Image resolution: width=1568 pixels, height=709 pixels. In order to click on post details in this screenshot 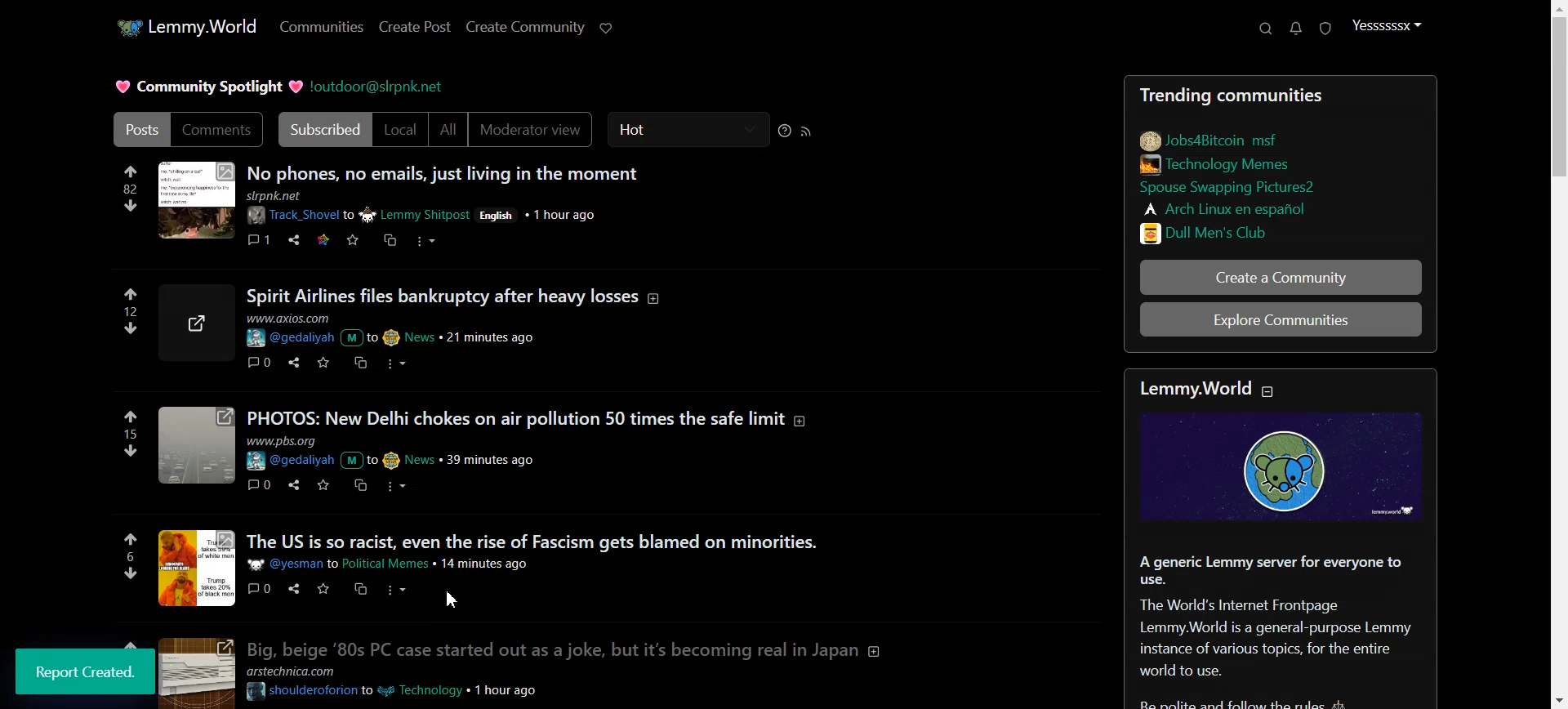, I will do `click(412, 452)`.